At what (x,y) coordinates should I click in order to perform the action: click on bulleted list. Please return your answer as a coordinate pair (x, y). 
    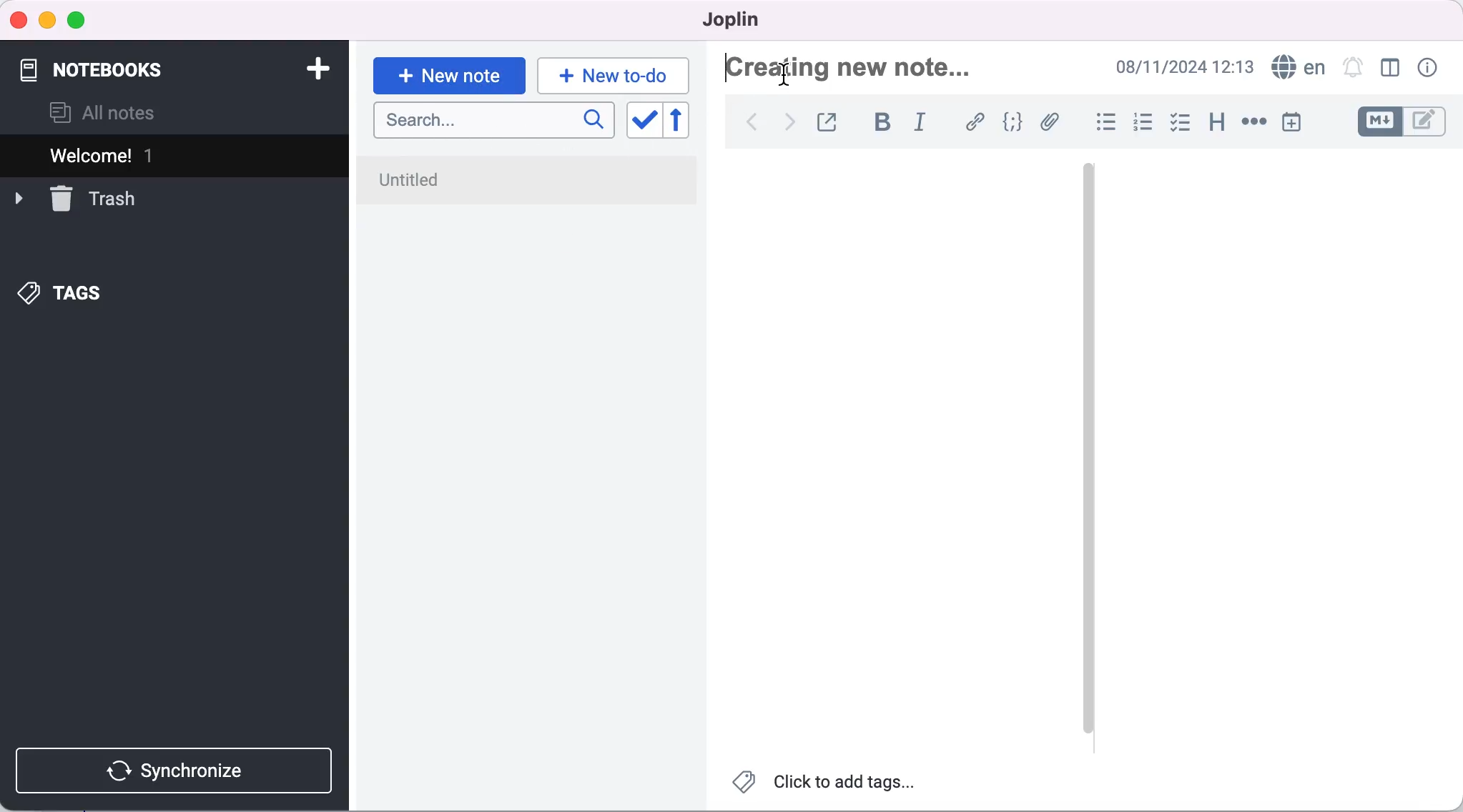
    Looking at the image, I should click on (1105, 124).